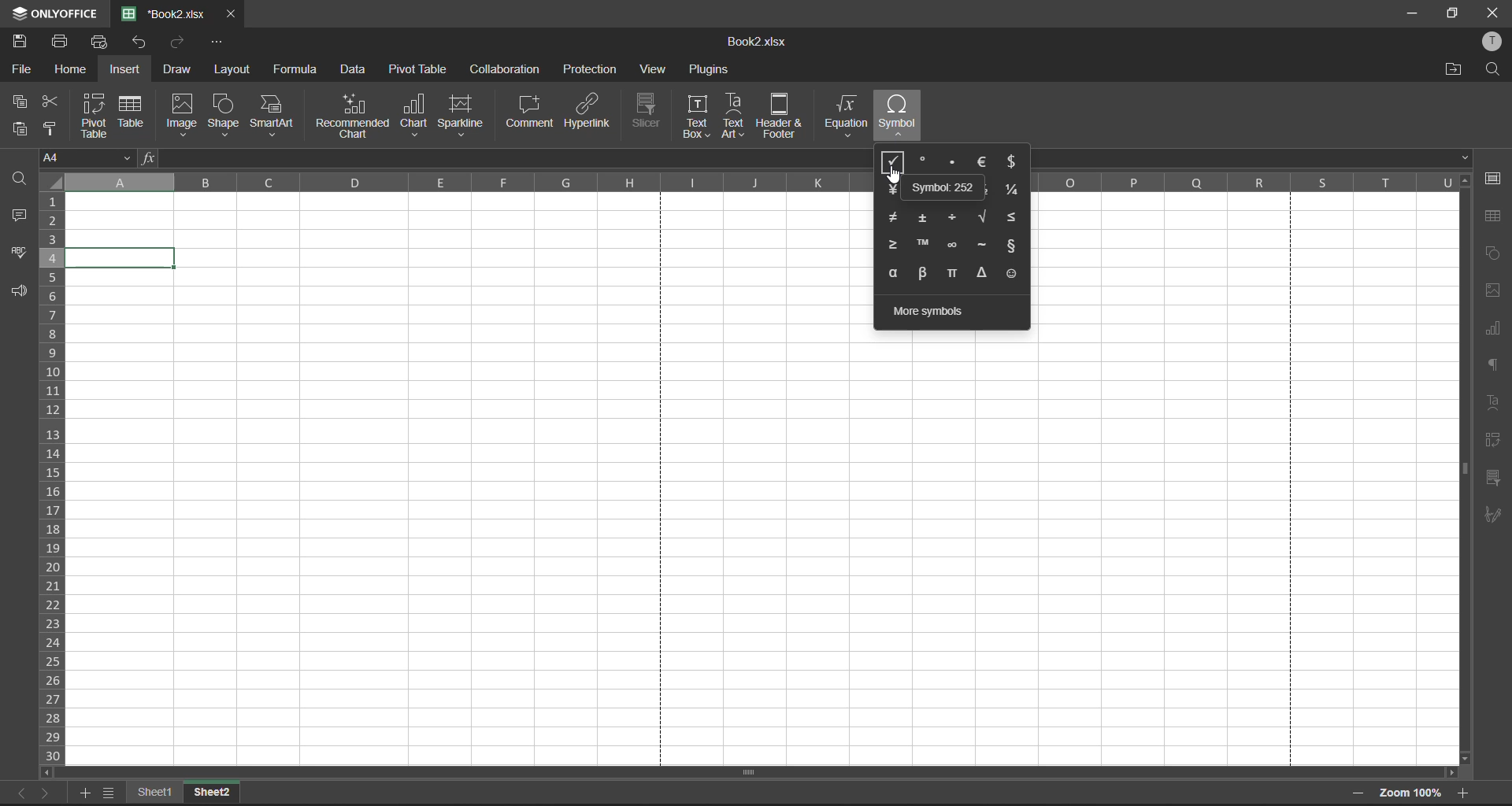 This screenshot has height=806, width=1512. Describe the element at coordinates (150, 160) in the screenshot. I see `fx` at that location.